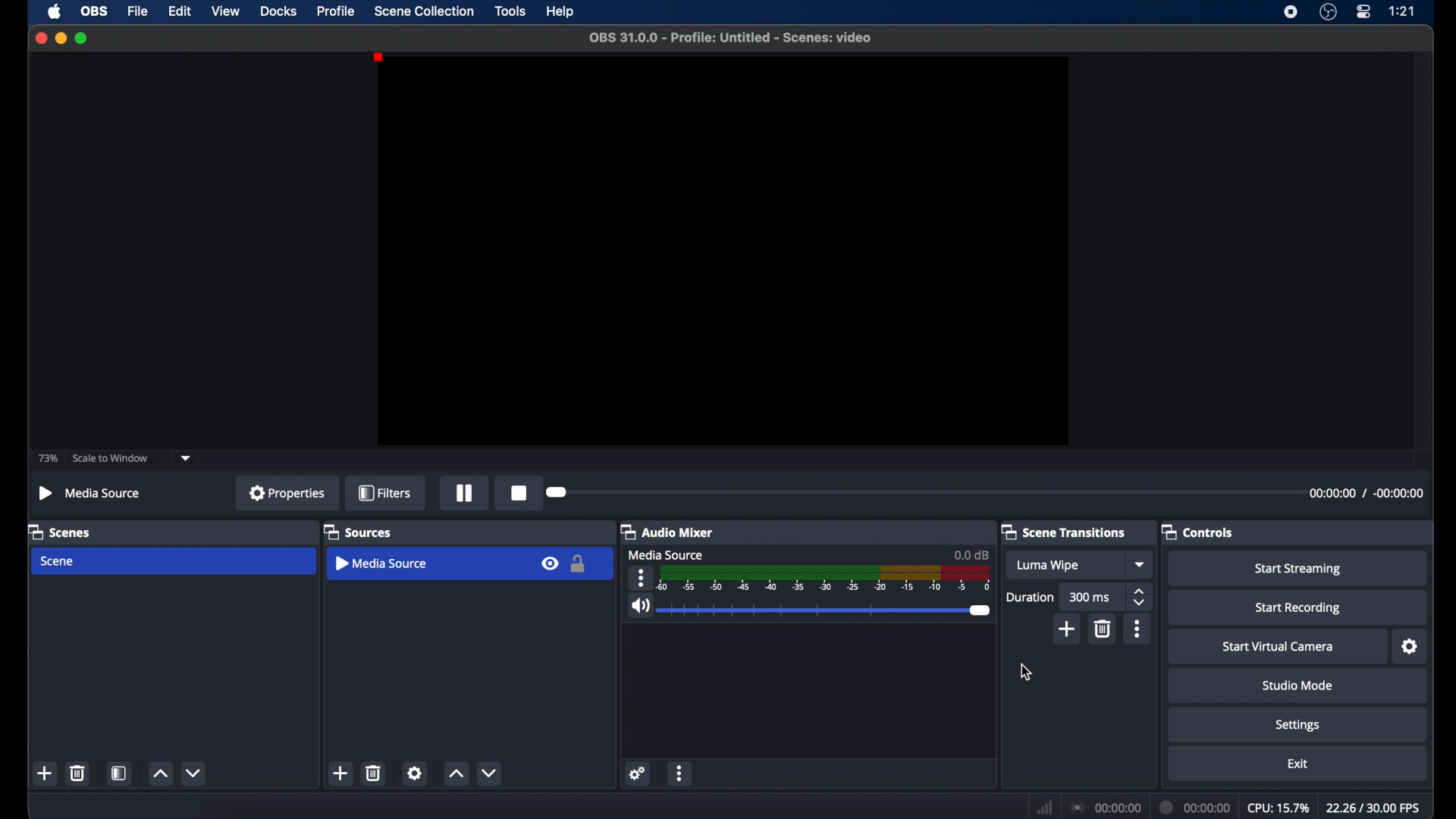  What do you see at coordinates (340, 773) in the screenshot?
I see `add` at bounding box center [340, 773].